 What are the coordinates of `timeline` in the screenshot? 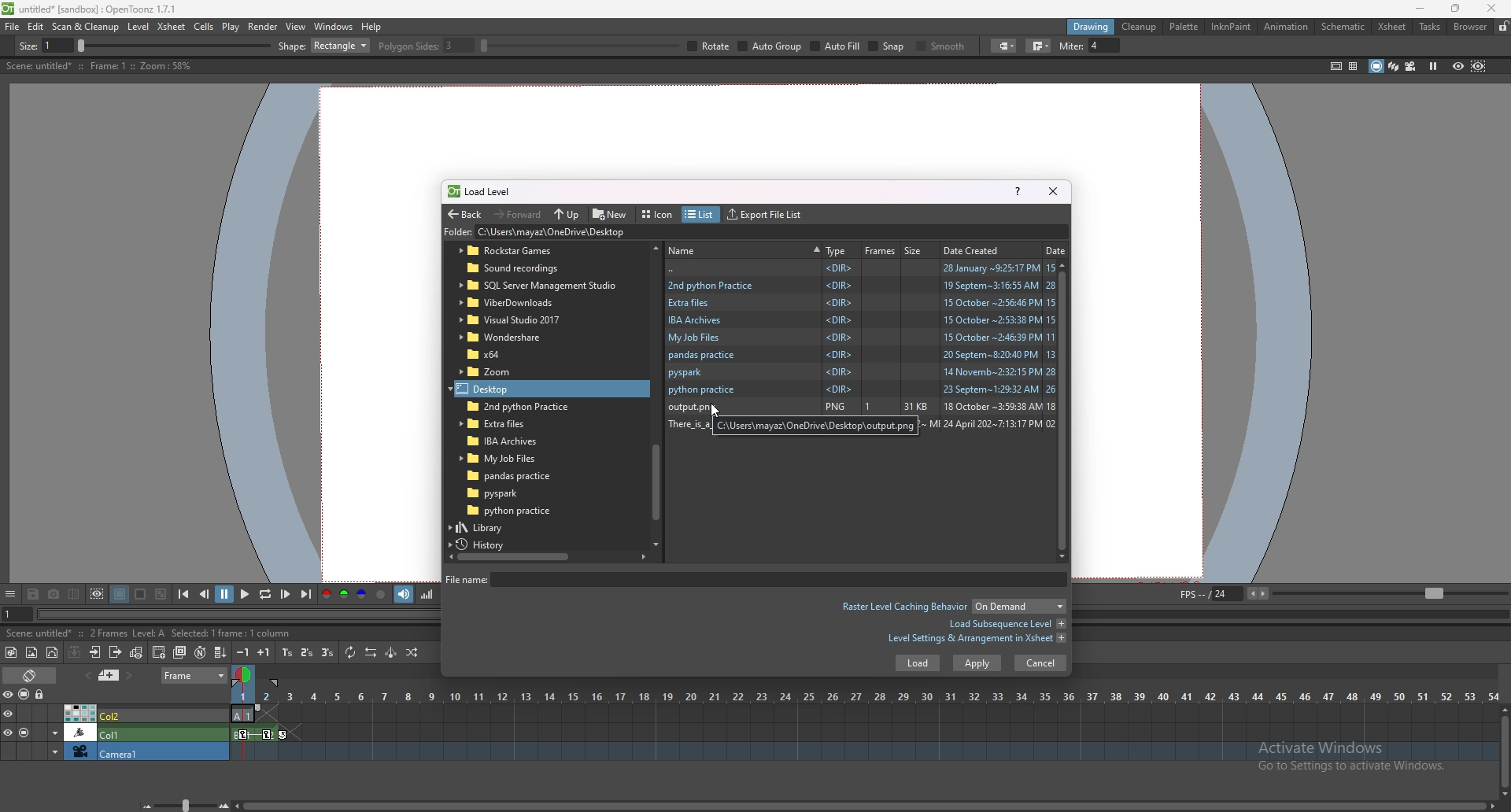 It's located at (863, 752).